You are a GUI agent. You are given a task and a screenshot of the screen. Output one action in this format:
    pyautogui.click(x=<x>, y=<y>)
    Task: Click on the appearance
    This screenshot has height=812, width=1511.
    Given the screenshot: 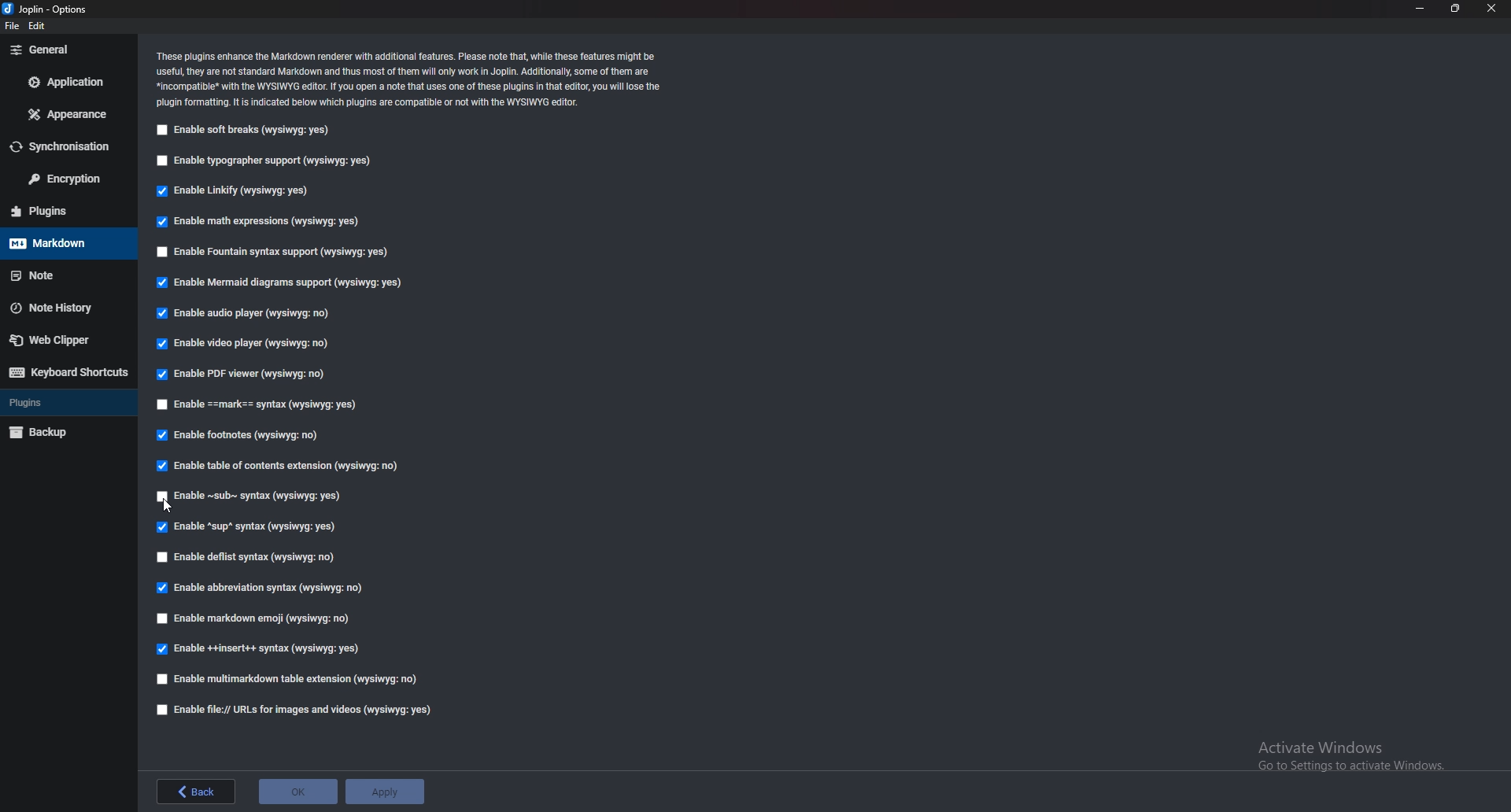 What is the action you would take?
    pyautogui.click(x=71, y=116)
    